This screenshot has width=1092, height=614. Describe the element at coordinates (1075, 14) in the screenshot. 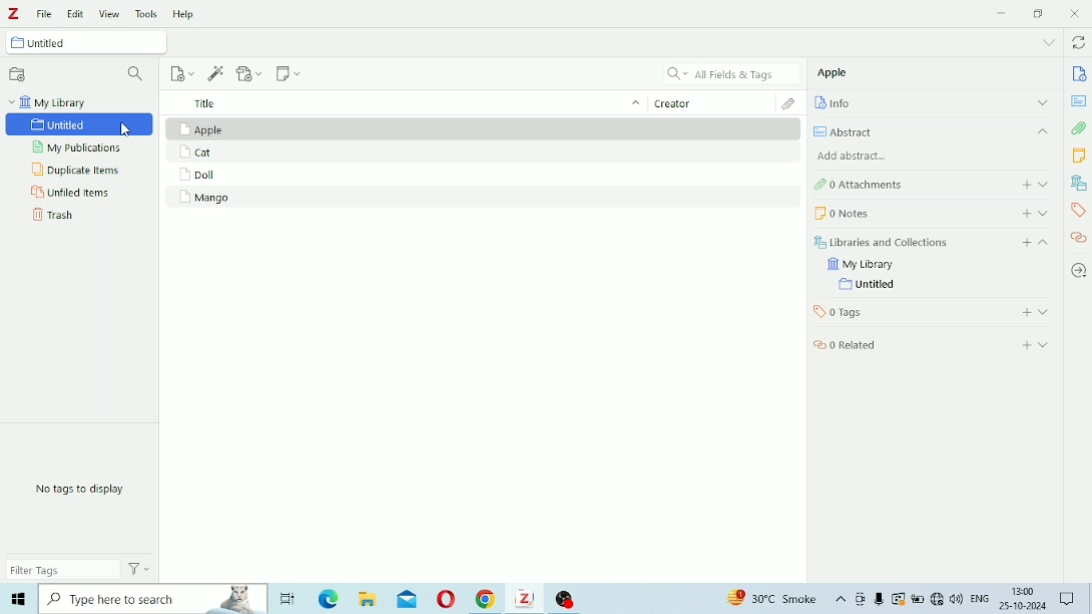

I see `Close` at that location.